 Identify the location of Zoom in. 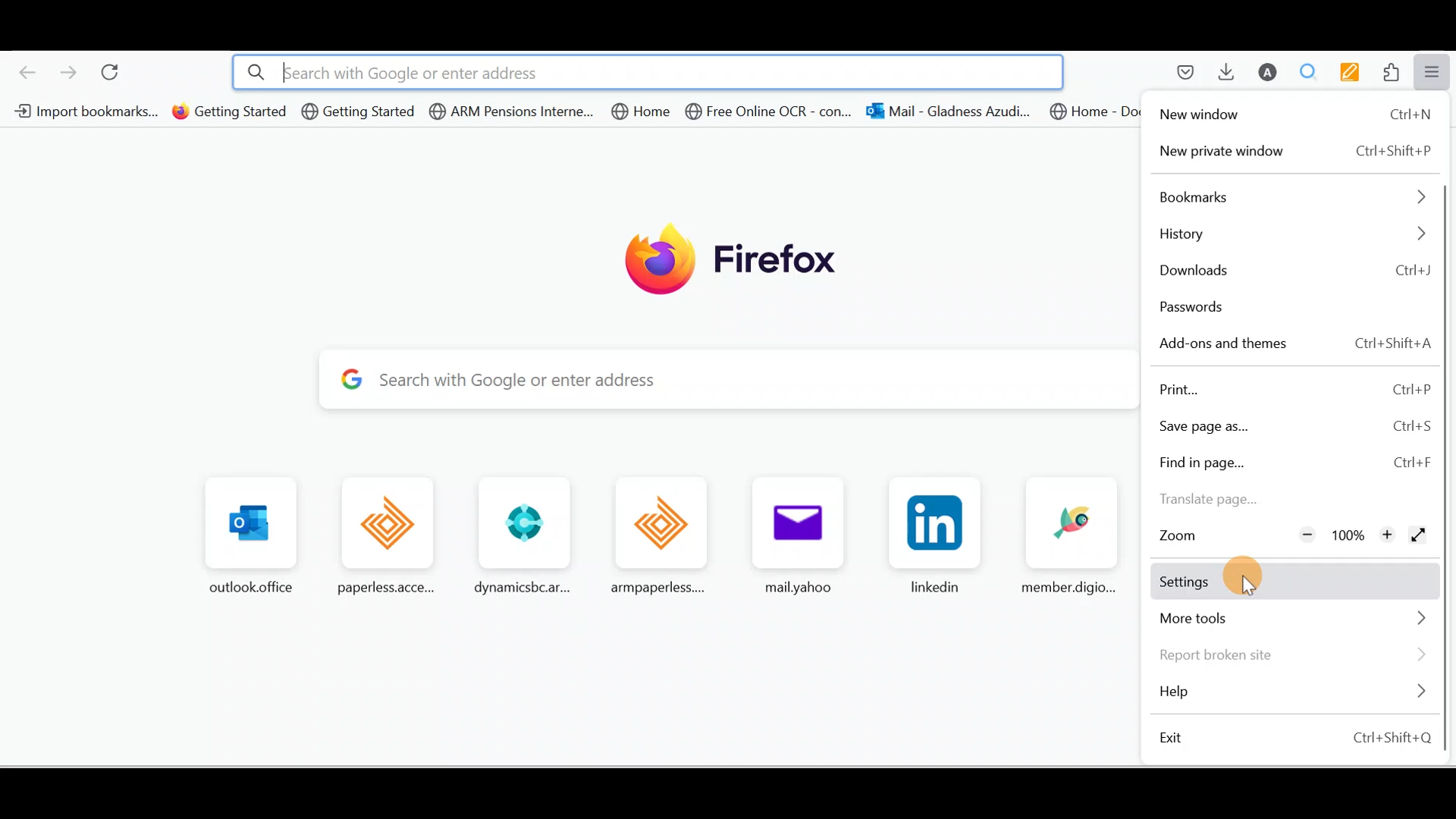
(1392, 535).